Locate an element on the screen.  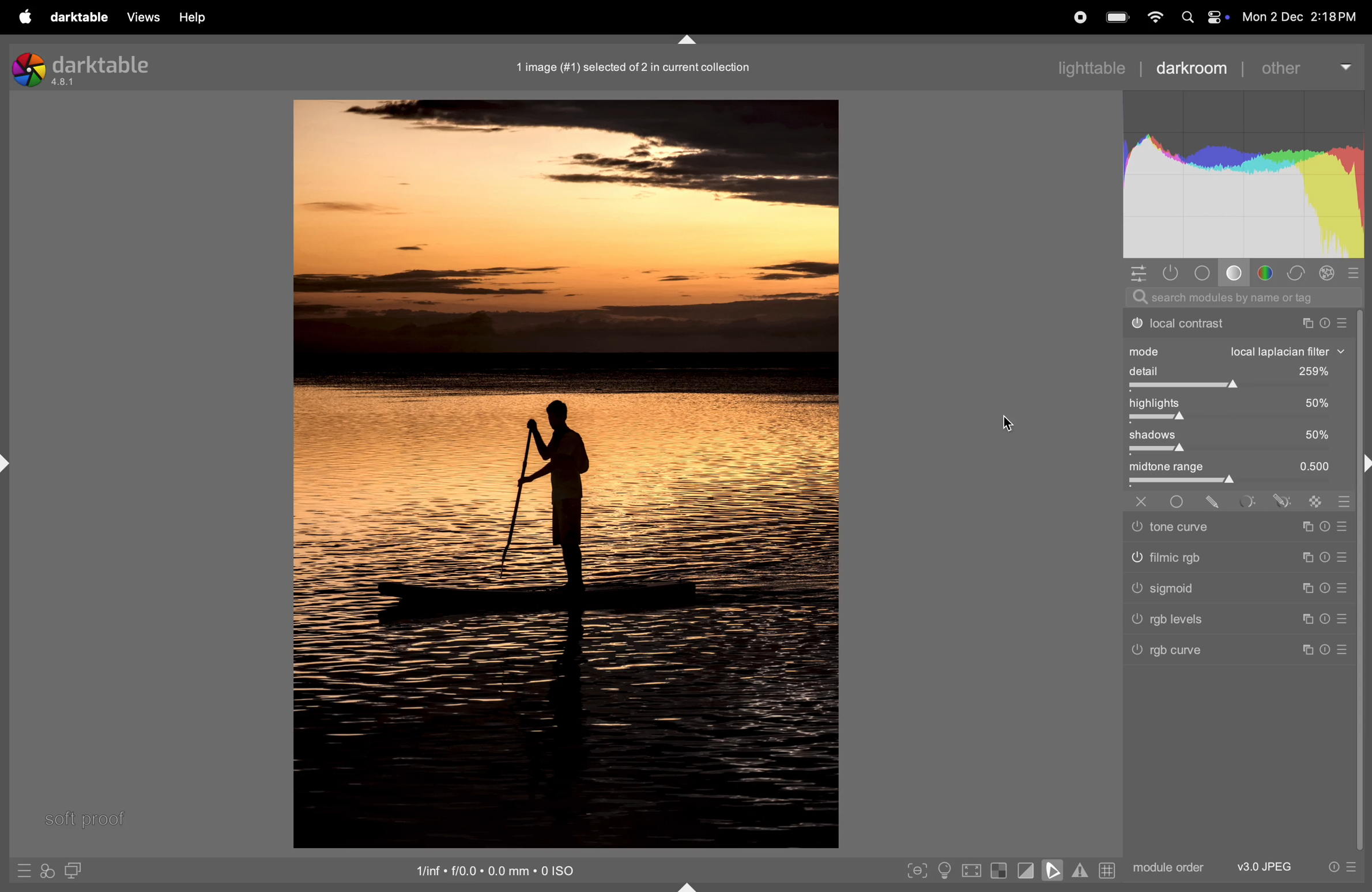
sign  is located at coordinates (1306, 617).